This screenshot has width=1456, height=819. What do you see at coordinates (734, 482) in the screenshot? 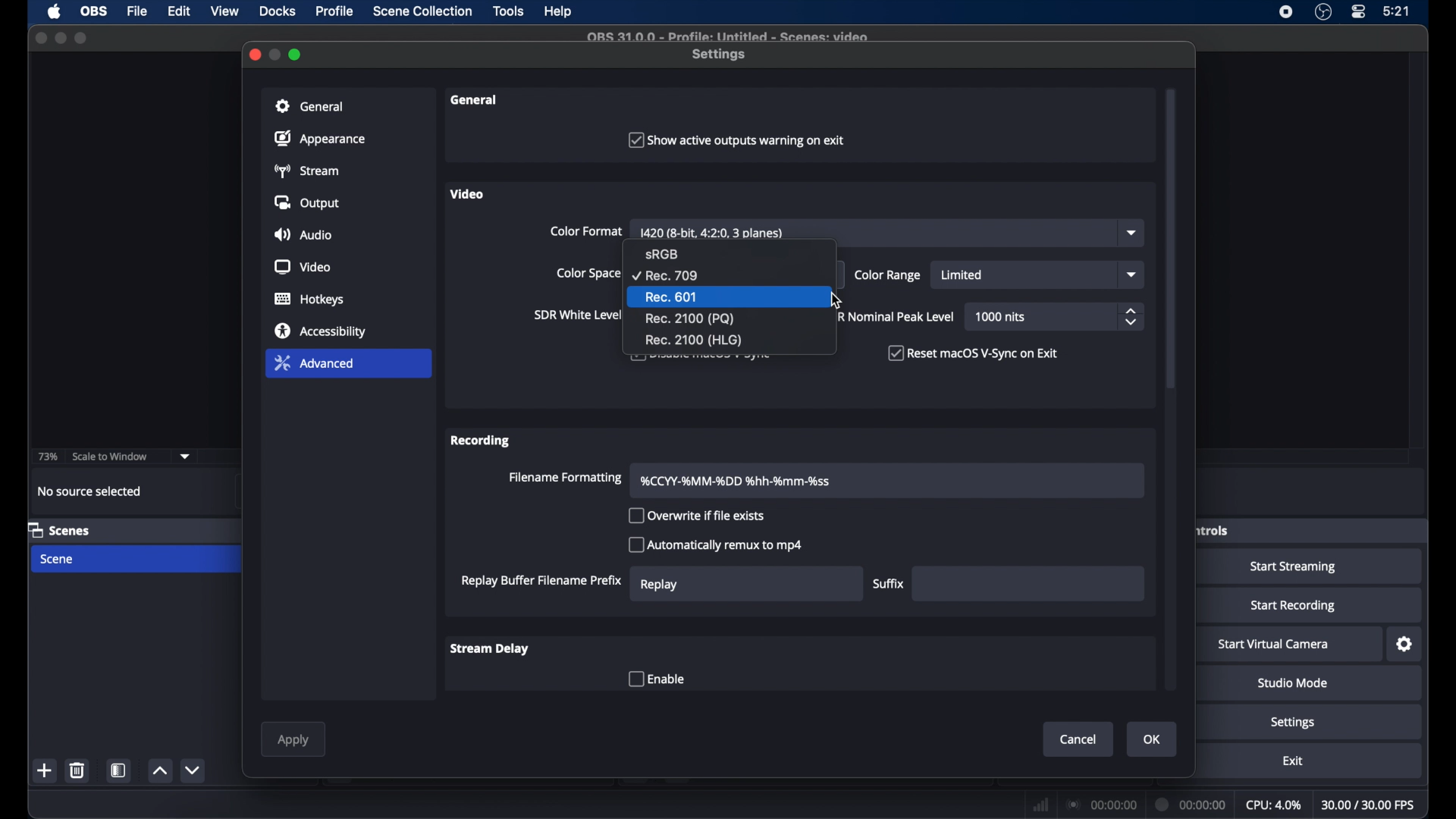
I see `filename` at bounding box center [734, 482].